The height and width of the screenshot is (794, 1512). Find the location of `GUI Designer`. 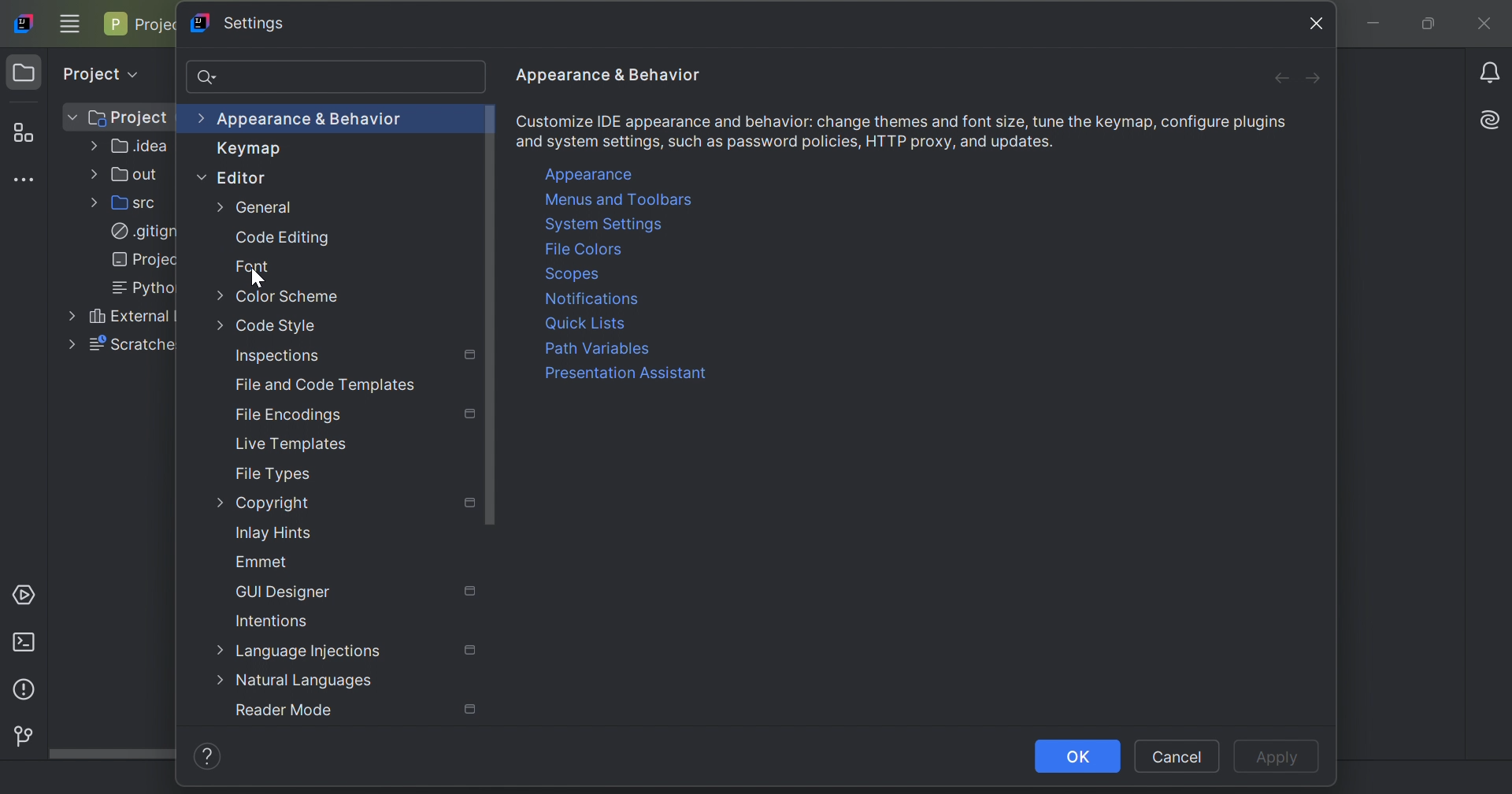

GUI Designer is located at coordinates (284, 592).